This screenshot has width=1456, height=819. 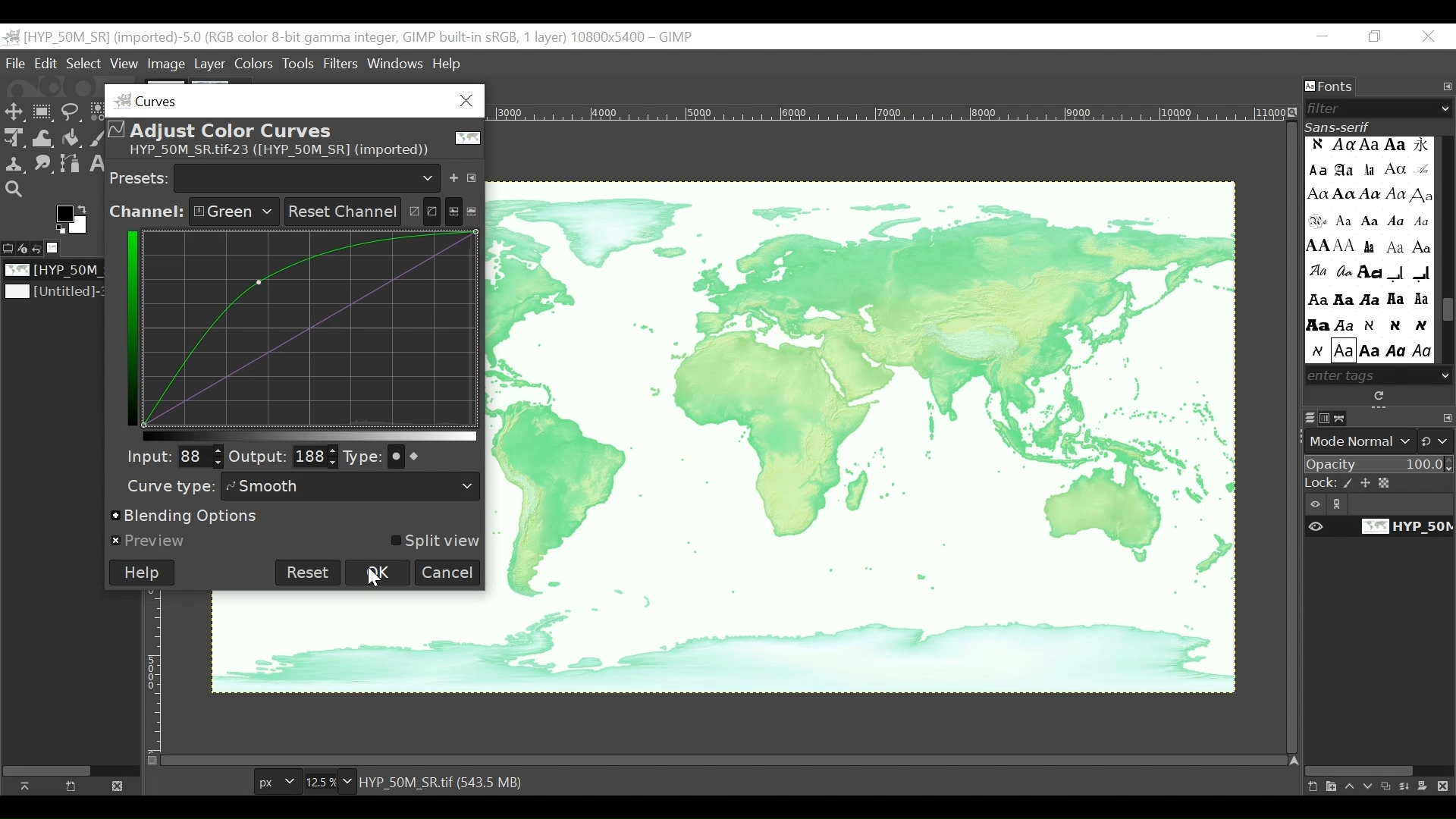 What do you see at coordinates (12, 137) in the screenshot?
I see `Unified Transform tool` at bounding box center [12, 137].